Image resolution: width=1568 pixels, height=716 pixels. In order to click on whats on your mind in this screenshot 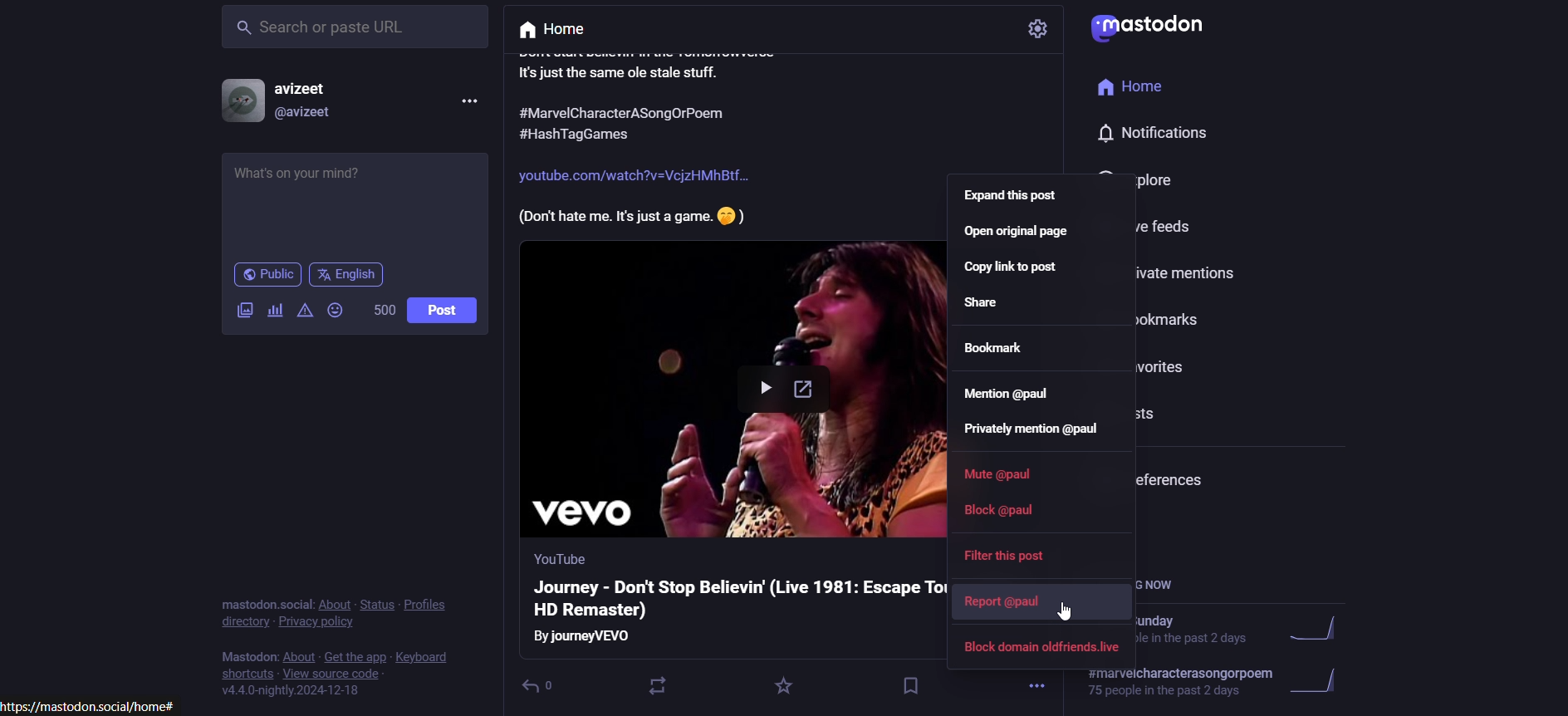, I will do `click(353, 202)`.